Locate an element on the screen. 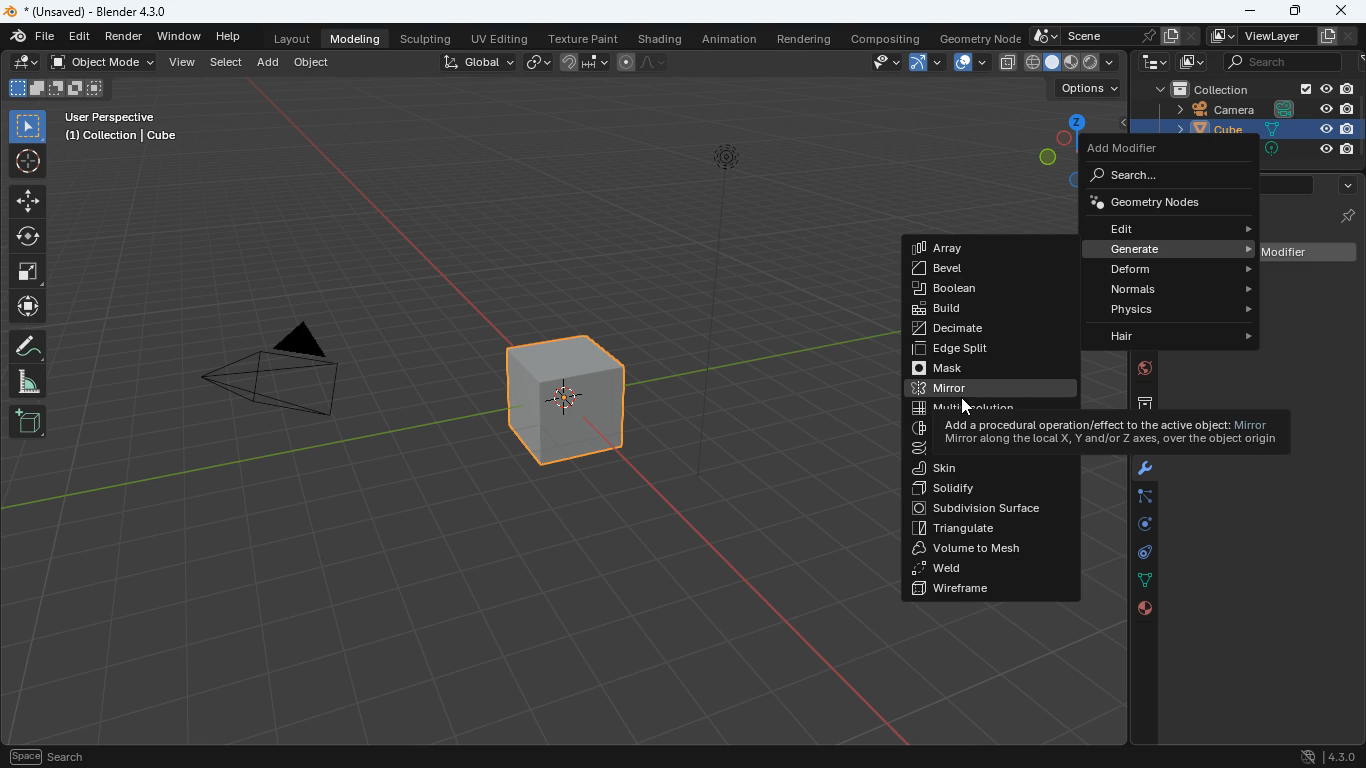 The image size is (1366, 768). link is located at coordinates (536, 63).